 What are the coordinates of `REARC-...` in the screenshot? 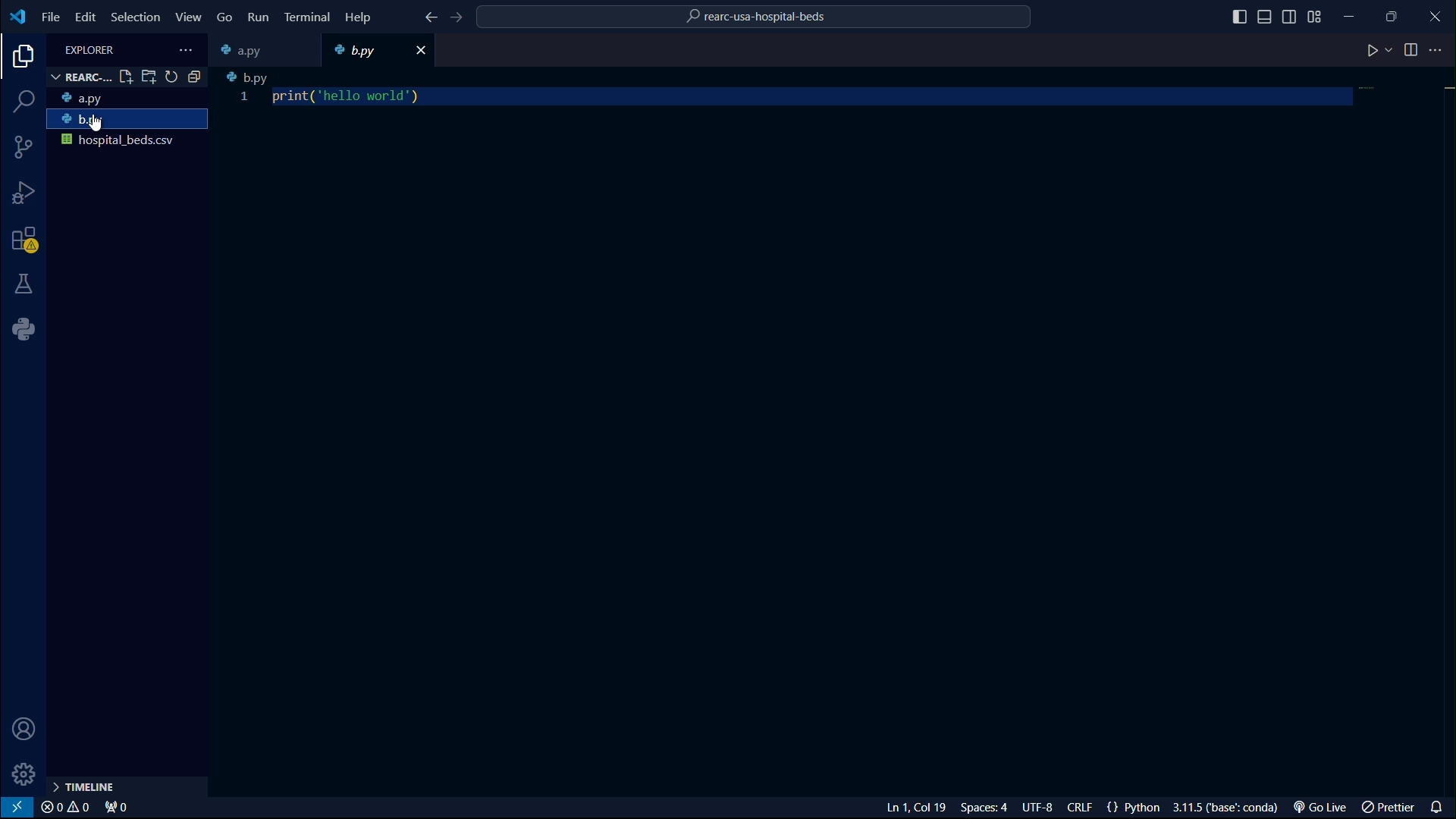 It's located at (77, 77).